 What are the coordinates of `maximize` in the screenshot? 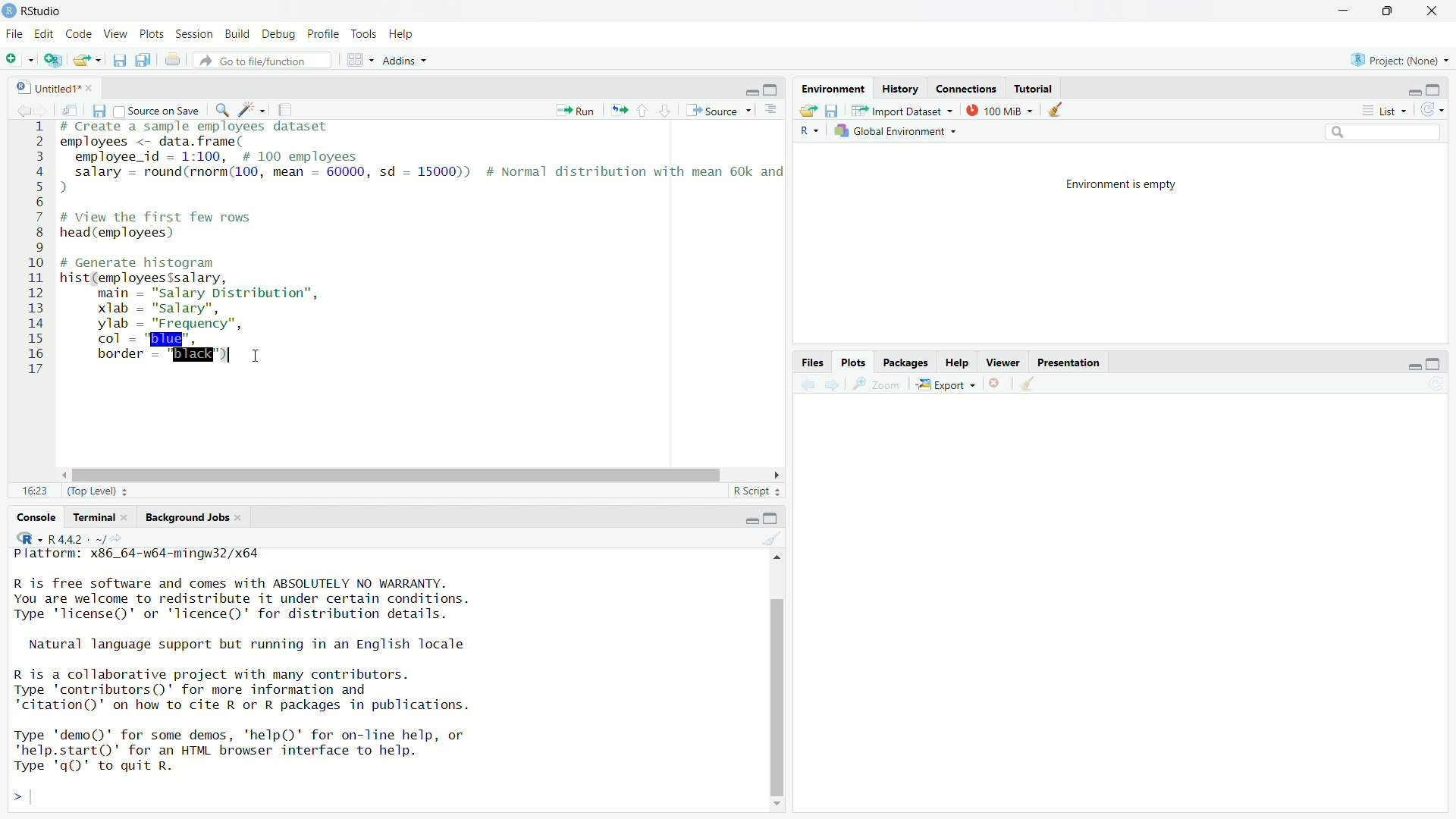 It's located at (1390, 11).